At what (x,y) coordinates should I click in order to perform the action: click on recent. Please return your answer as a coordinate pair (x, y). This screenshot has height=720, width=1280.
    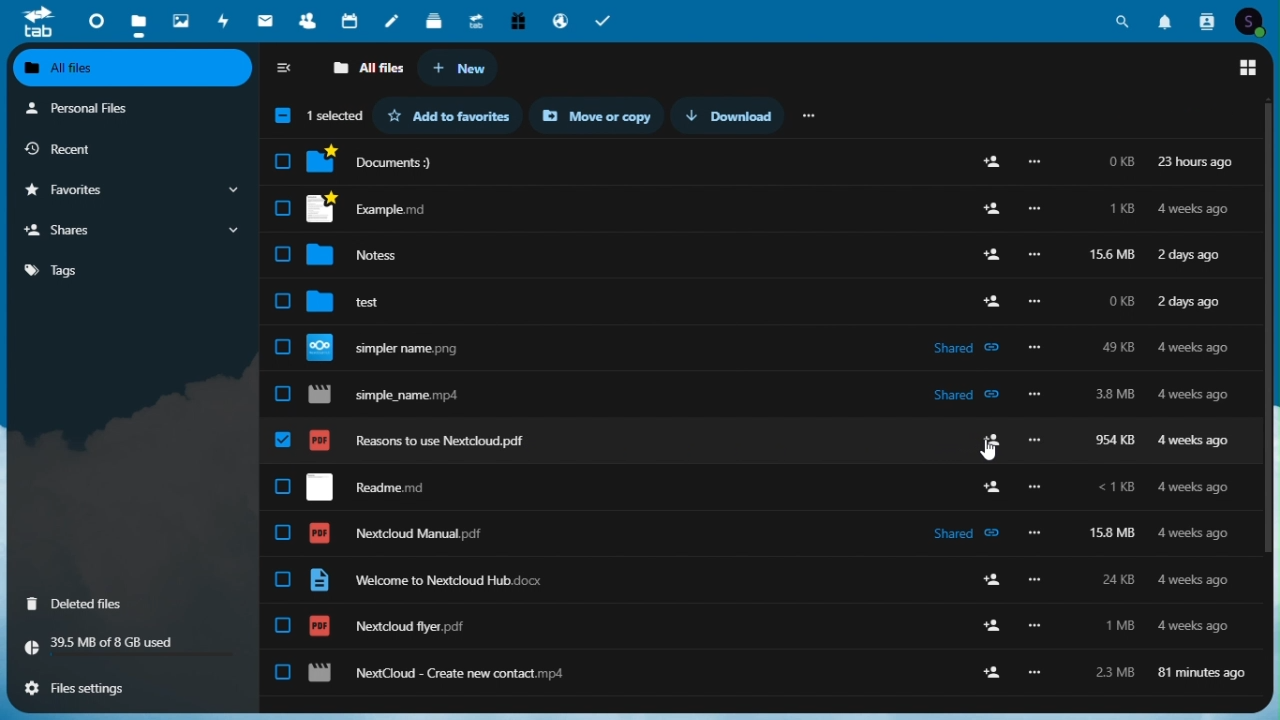
    Looking at the image, I should click on (130, 149).